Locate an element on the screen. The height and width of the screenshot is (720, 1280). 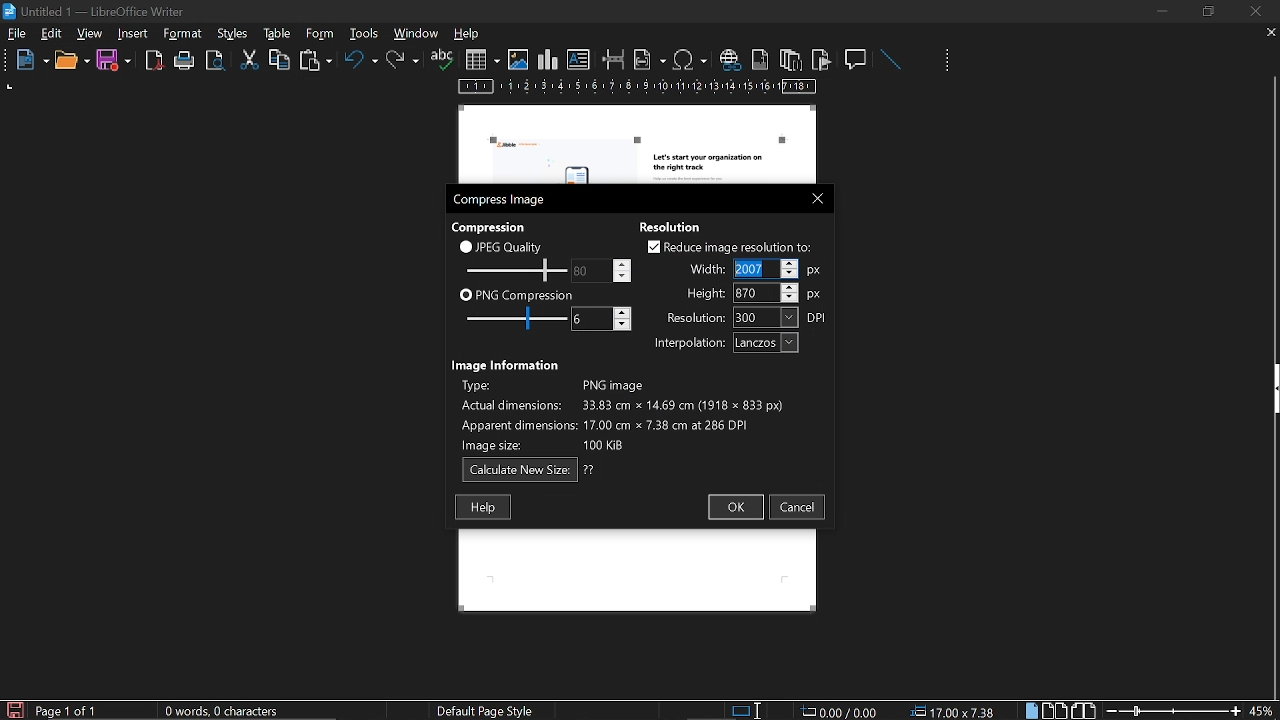
interpolation is located at coordinates (722, 343).